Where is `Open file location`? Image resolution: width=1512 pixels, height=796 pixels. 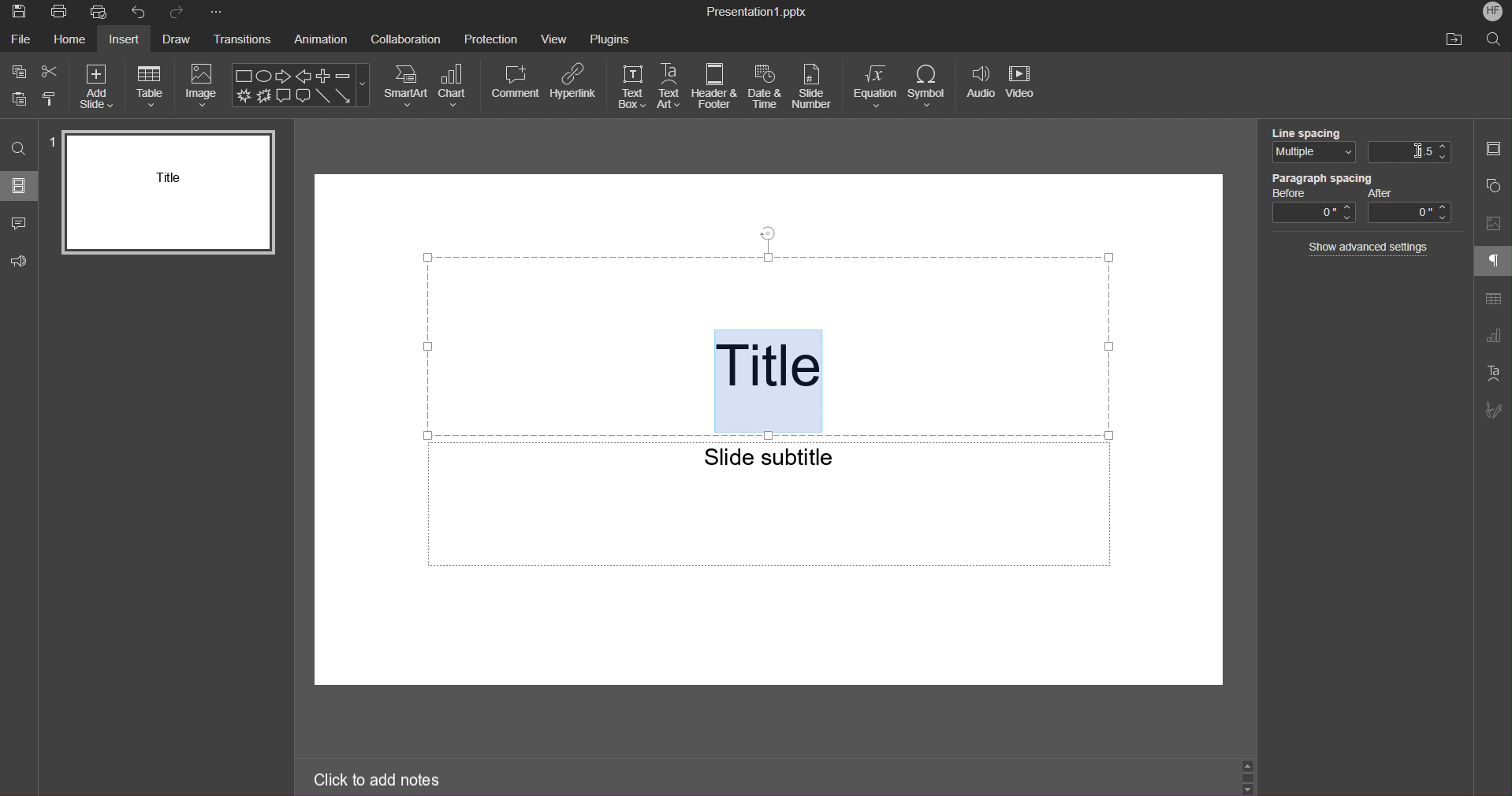 Open file location is located at coordinates (1456, 39).